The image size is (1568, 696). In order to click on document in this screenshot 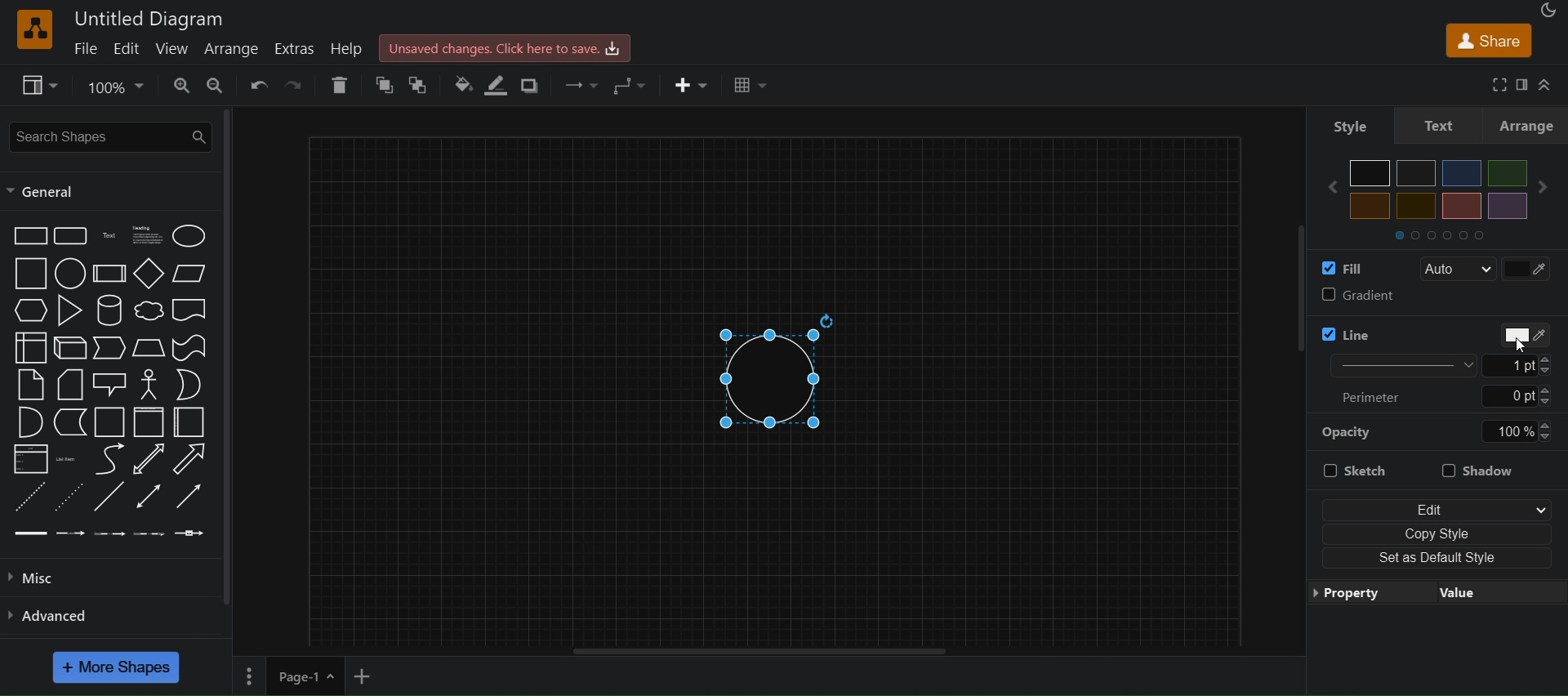, I will do `click(192, 313)`.